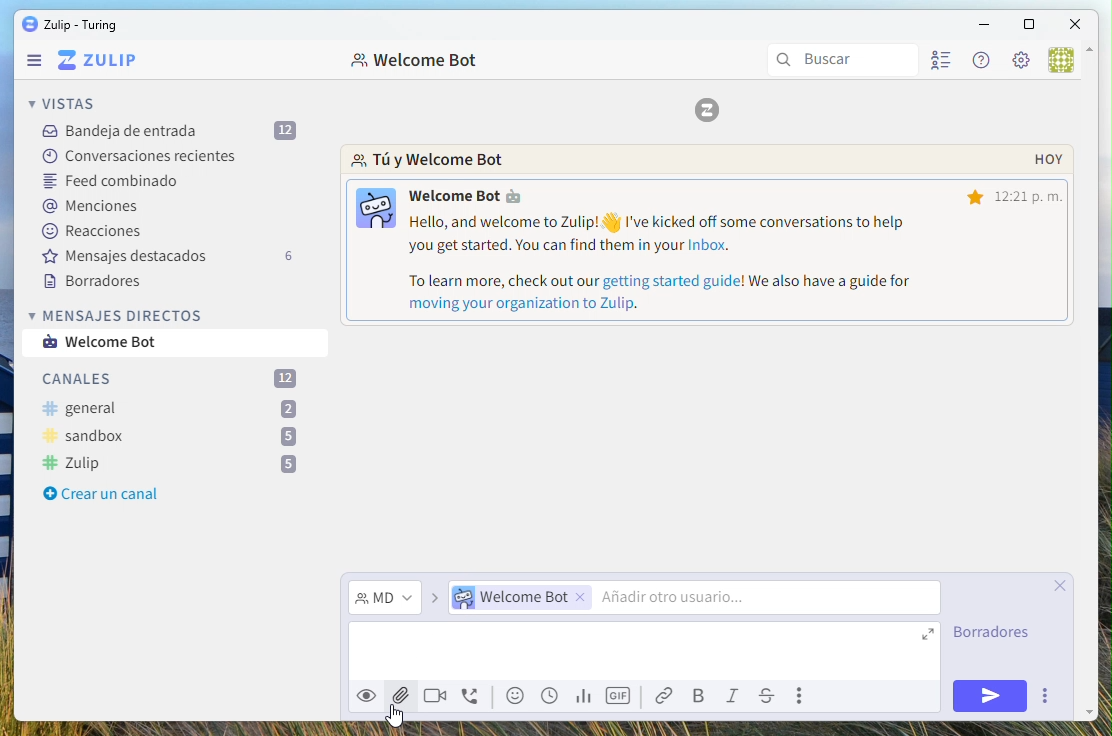 This screenshot has height=736, width=1112. Describe the element at coordinates (701, 697) in the screenshot. I see `bold` at that location.